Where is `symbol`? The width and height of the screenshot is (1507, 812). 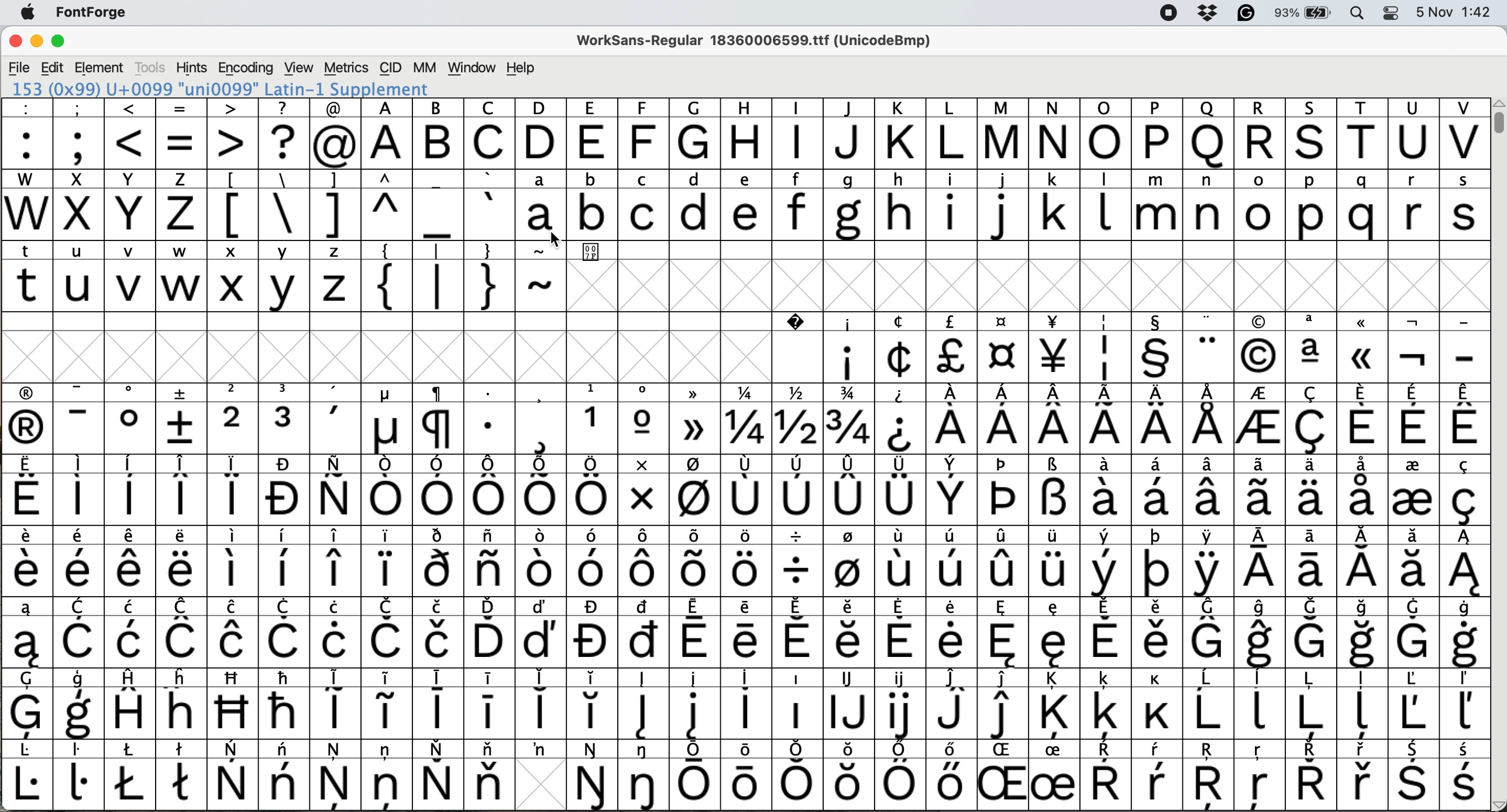
symbol is located at coordinates (385, 560).